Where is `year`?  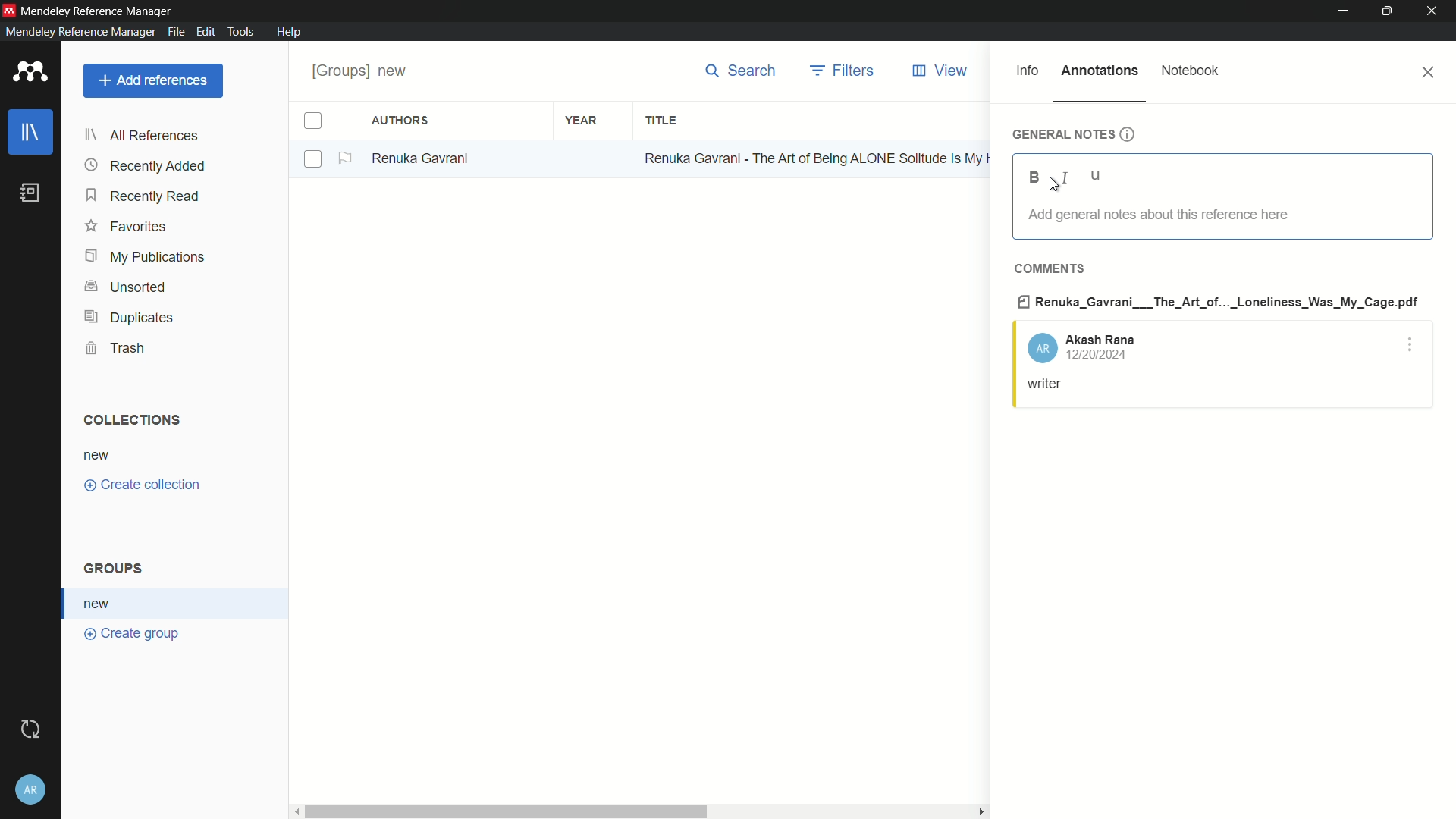 year is located at coordinates (581, 119).